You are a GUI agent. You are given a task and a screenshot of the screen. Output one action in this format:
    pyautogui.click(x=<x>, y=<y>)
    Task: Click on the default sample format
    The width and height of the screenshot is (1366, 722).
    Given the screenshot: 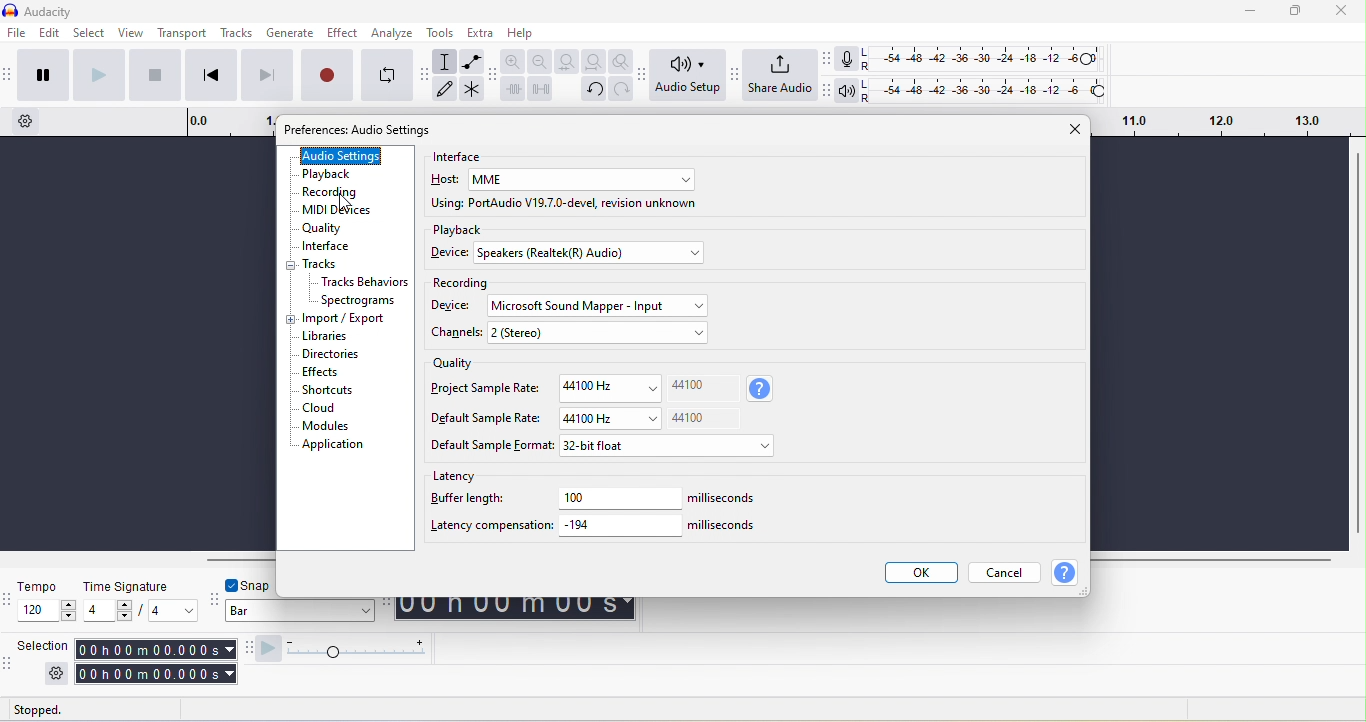 What is the action you would take?
    pyautogui.click(x=494, y=446)
    